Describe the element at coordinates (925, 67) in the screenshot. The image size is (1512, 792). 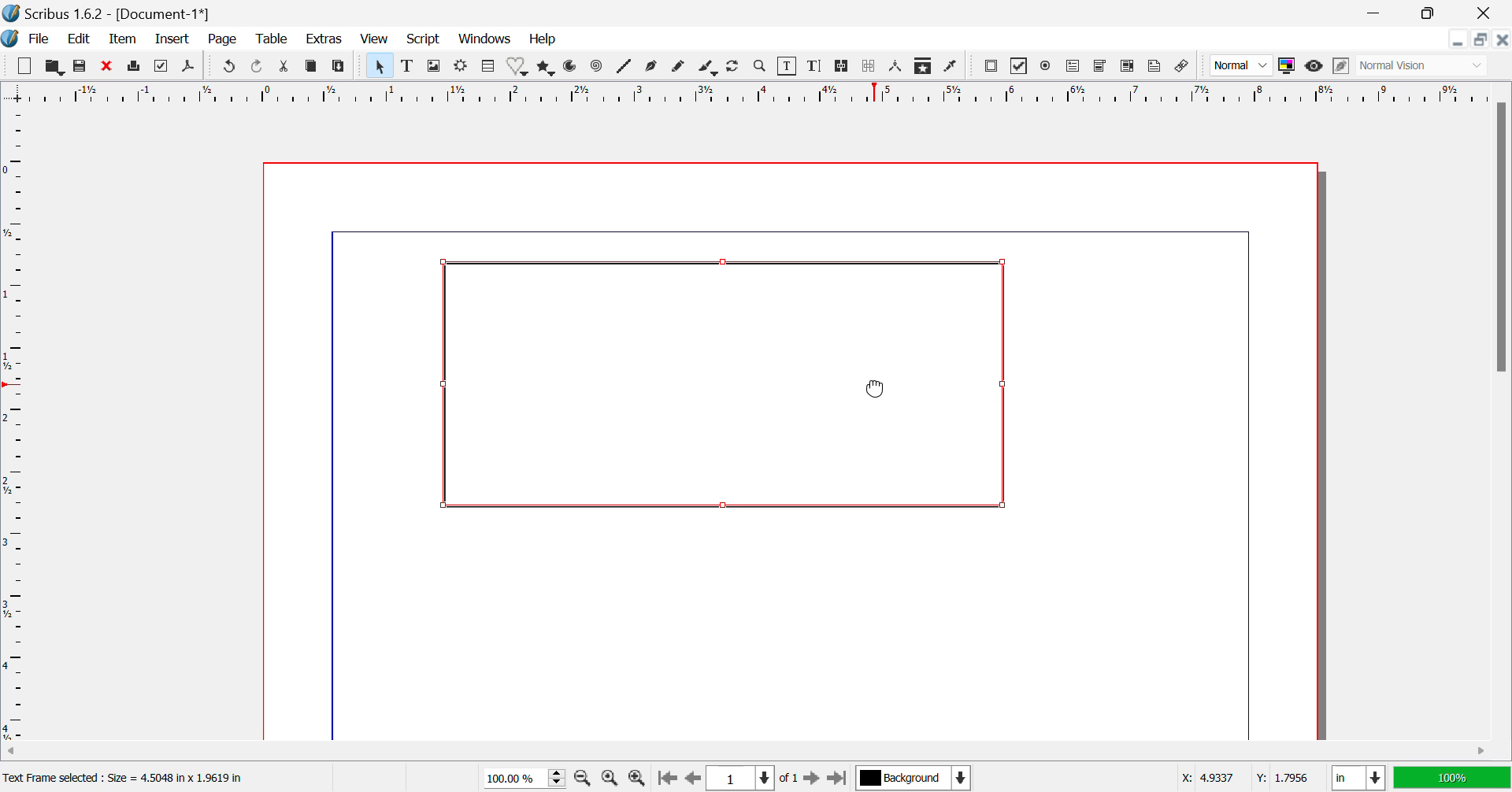
I see `Copy Item Properties` at that location.